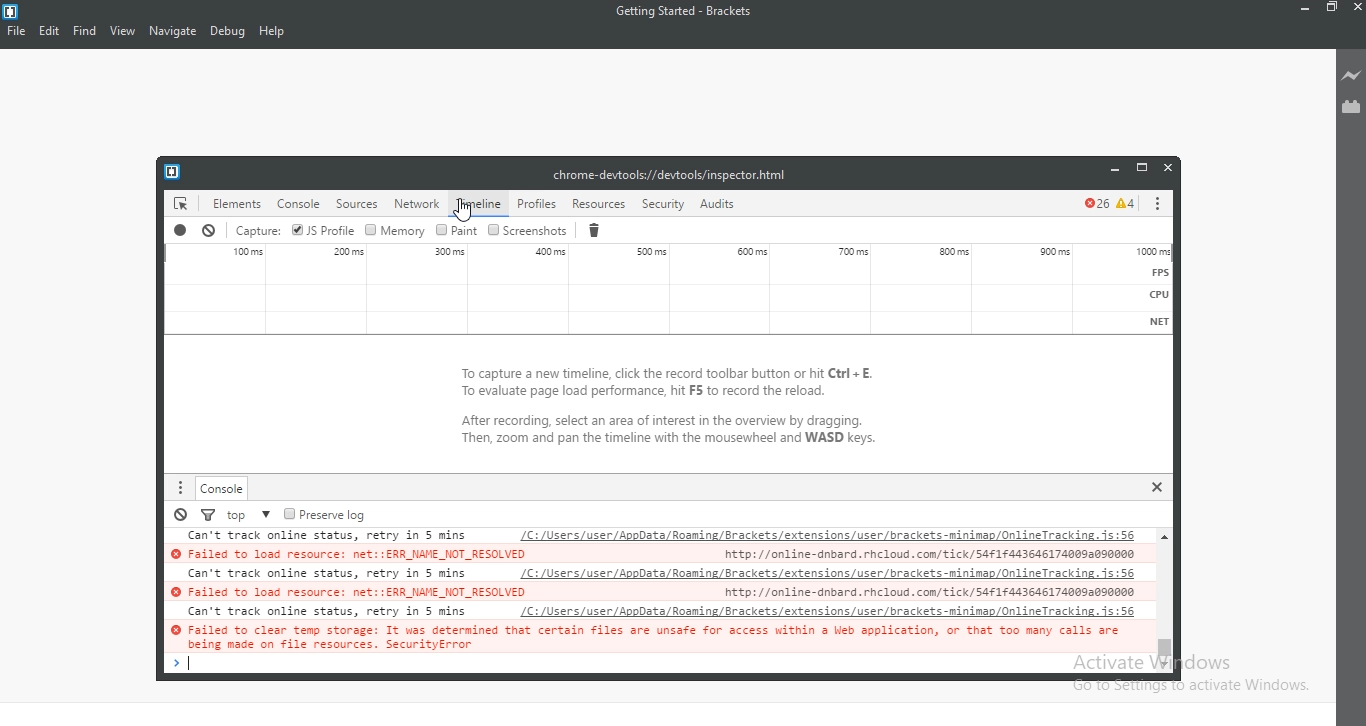 The height and width of the screenshot is (726, 1366). I want to click on Stop recording, so click(210, 230).